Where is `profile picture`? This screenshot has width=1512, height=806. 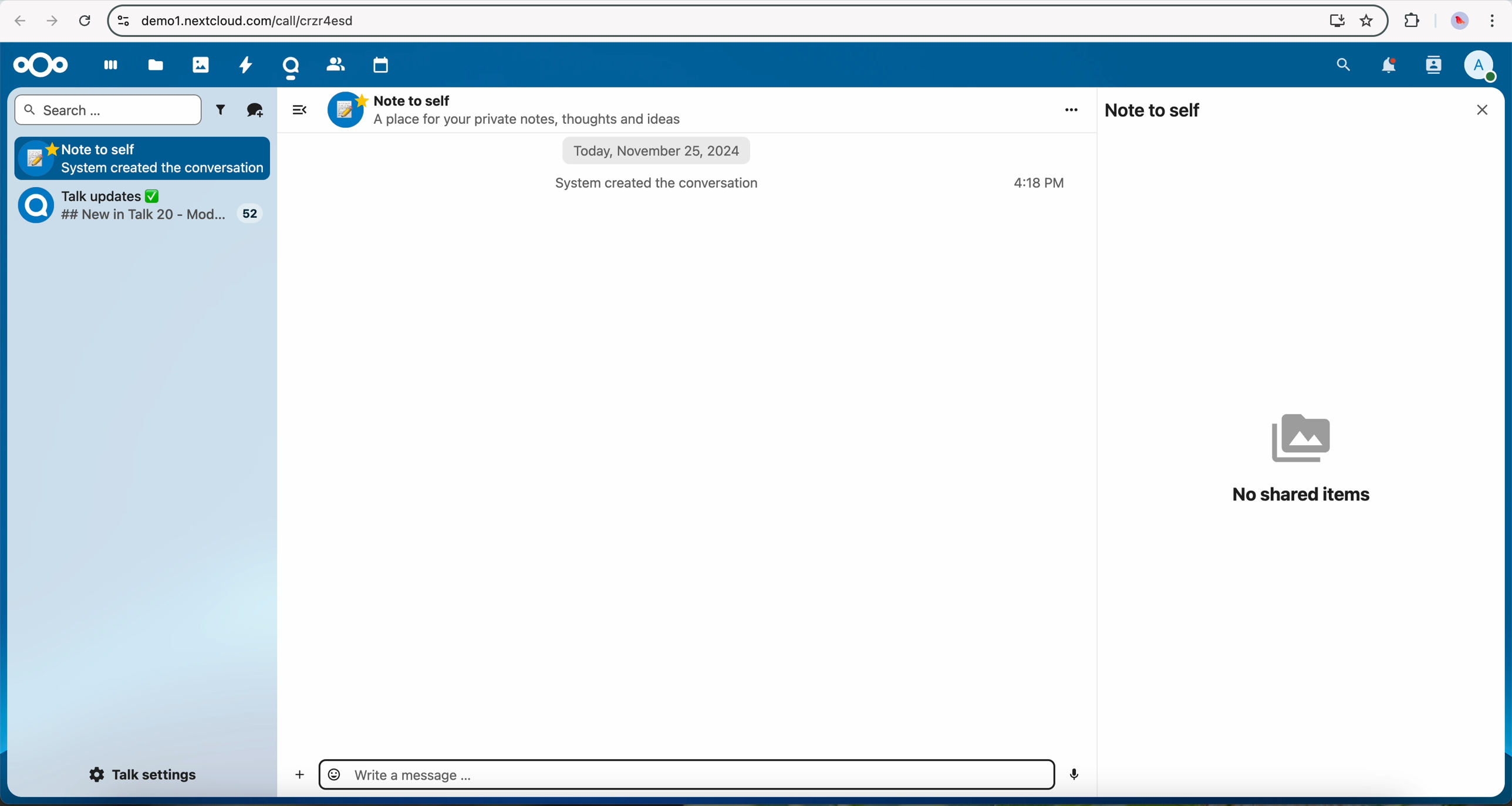
profile picture is located at coordinates (1456, 21).